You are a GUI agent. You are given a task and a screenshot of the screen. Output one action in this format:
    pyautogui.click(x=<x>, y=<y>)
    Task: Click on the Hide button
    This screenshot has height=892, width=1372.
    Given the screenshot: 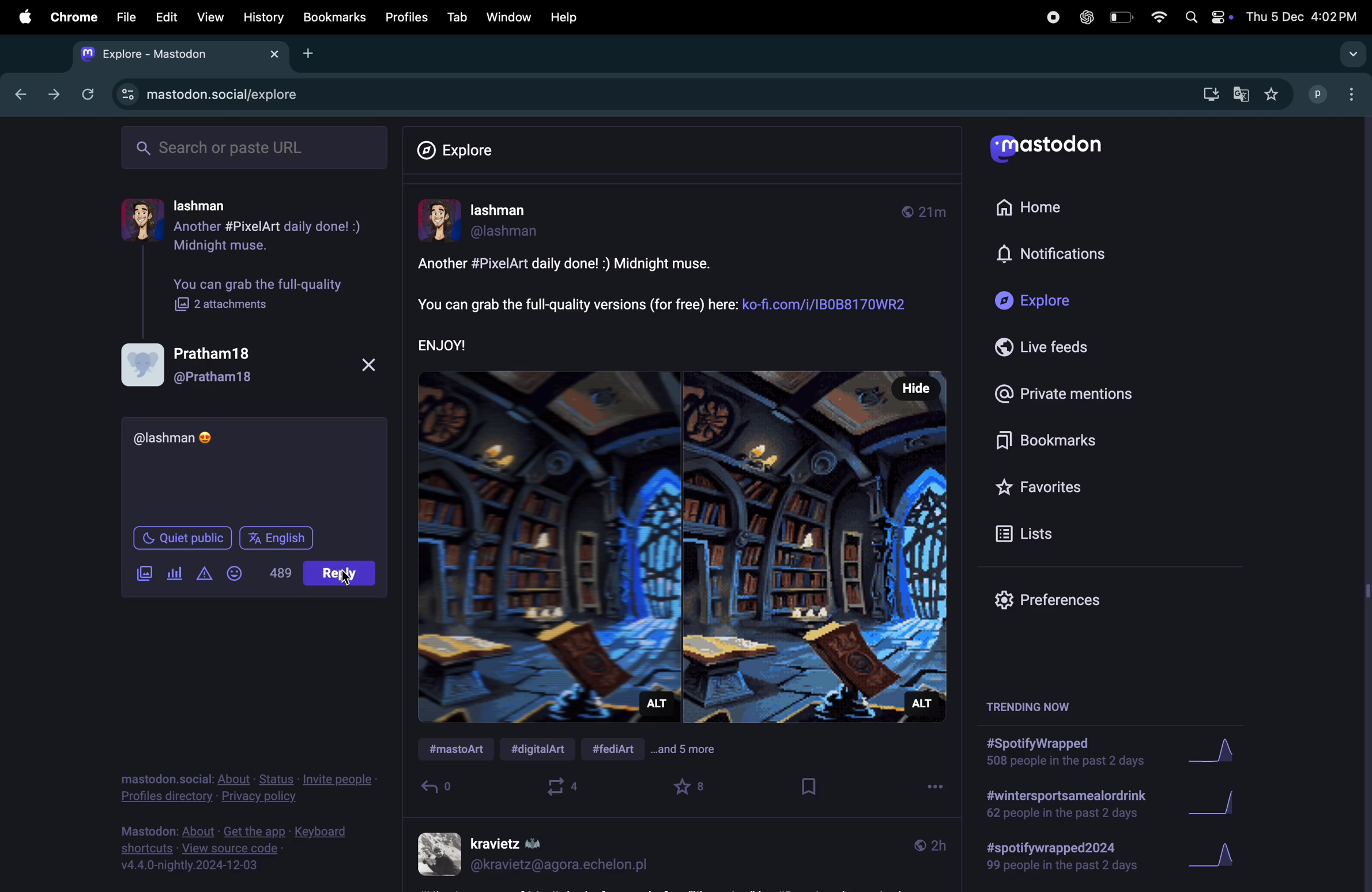 What is the action you would take?
    pyautogui.click(x=912, y=388)
    